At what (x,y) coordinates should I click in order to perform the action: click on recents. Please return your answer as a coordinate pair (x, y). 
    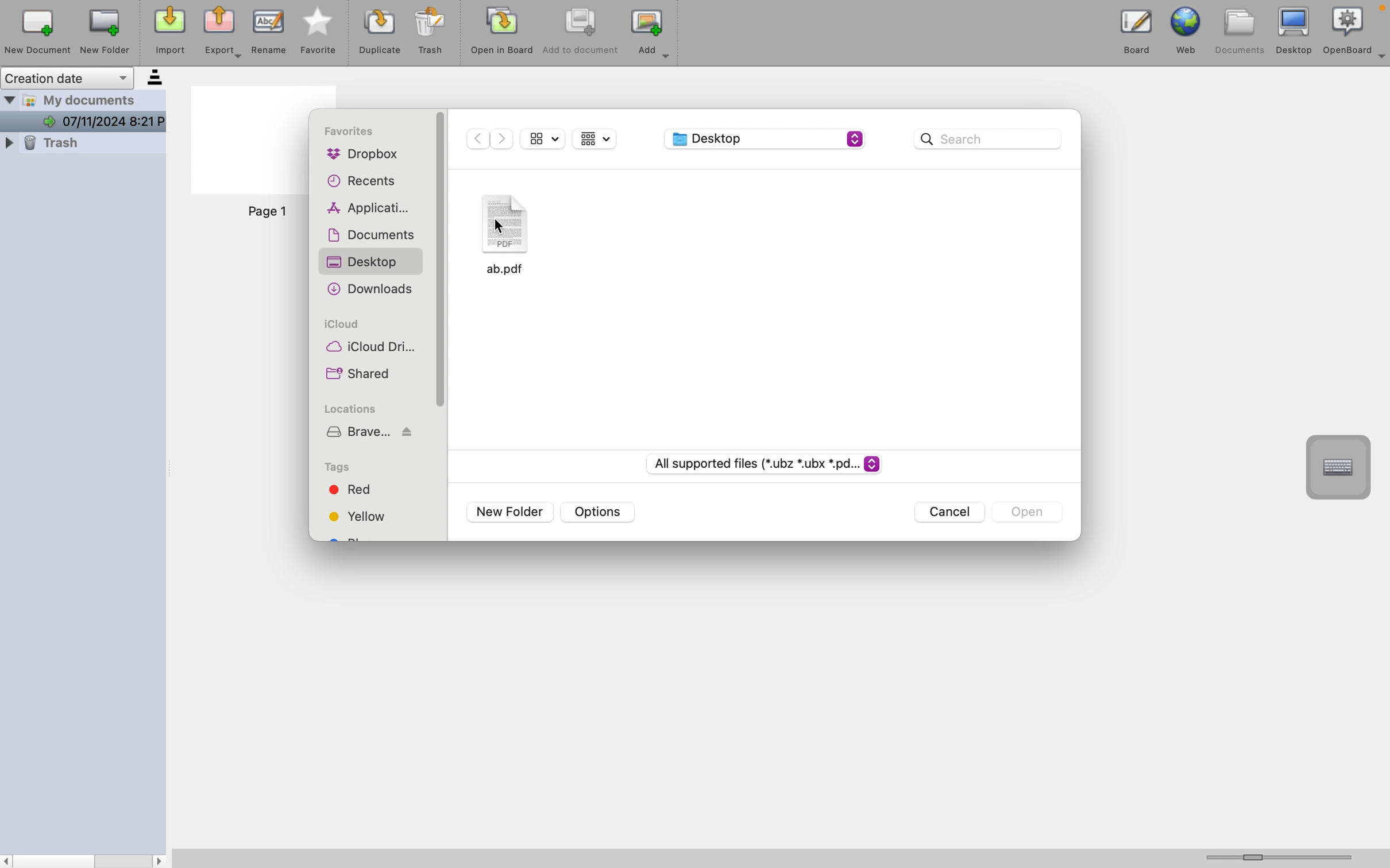
    Looking at the image, I should click on (361, 181).